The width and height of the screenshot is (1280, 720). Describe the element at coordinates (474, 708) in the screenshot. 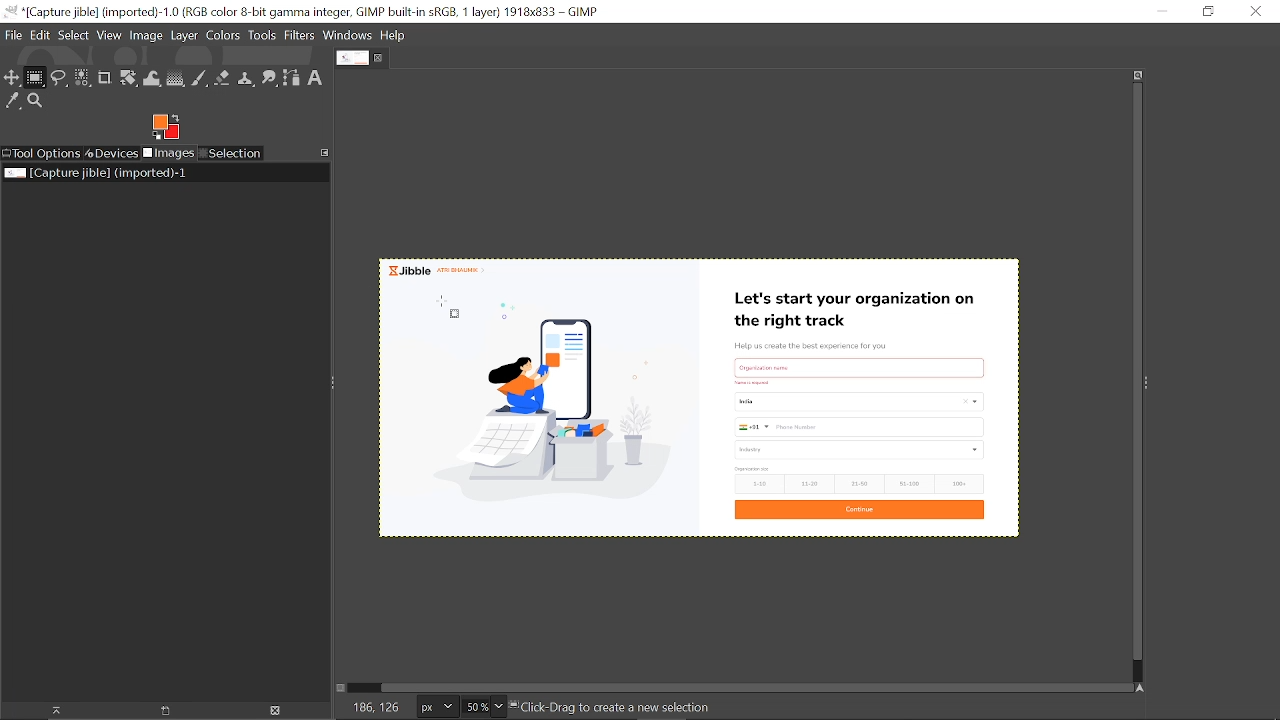

I see `Current zoom` at that location.